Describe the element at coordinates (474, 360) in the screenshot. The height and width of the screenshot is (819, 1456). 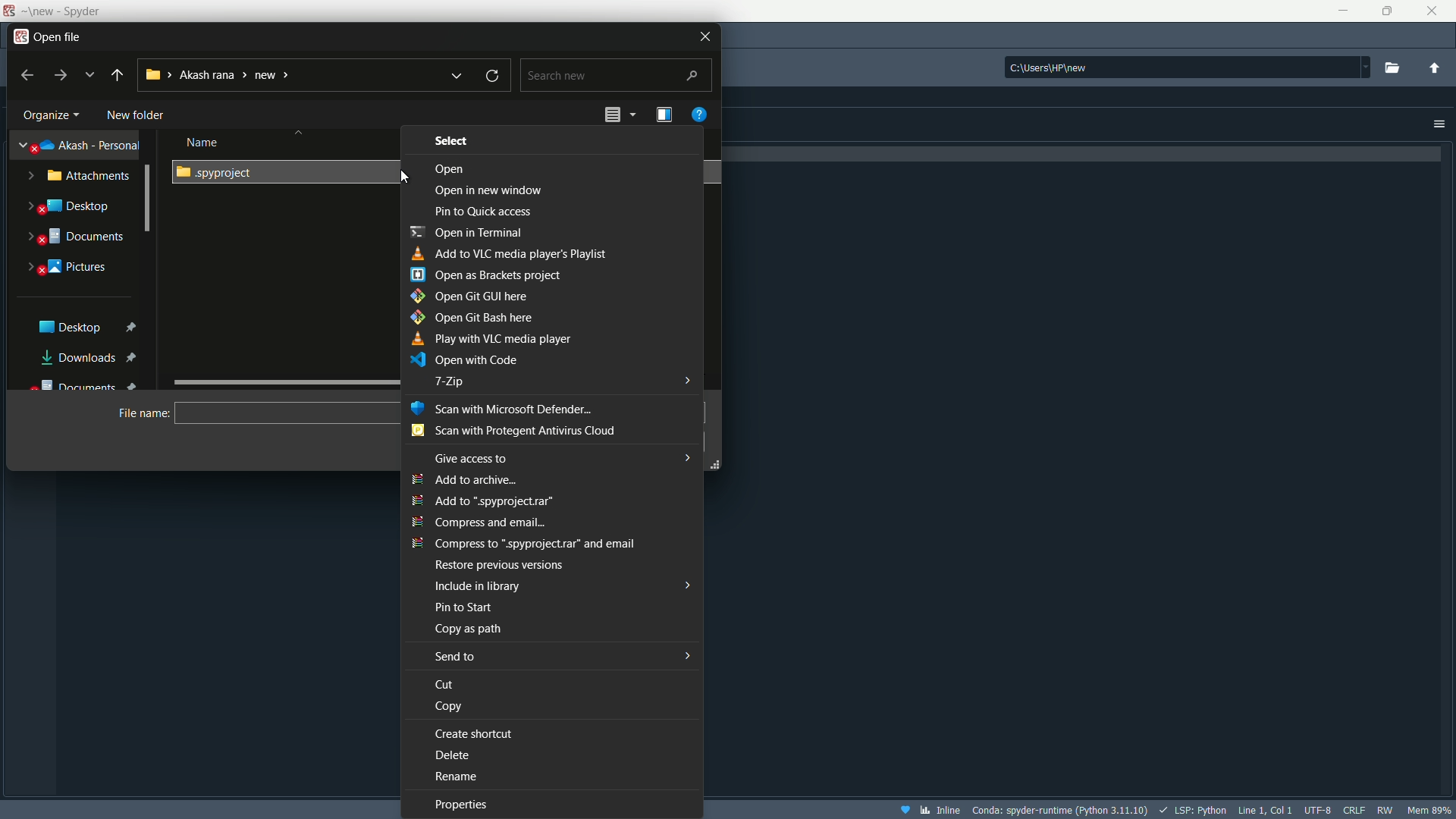
I see `open with code` at that location.